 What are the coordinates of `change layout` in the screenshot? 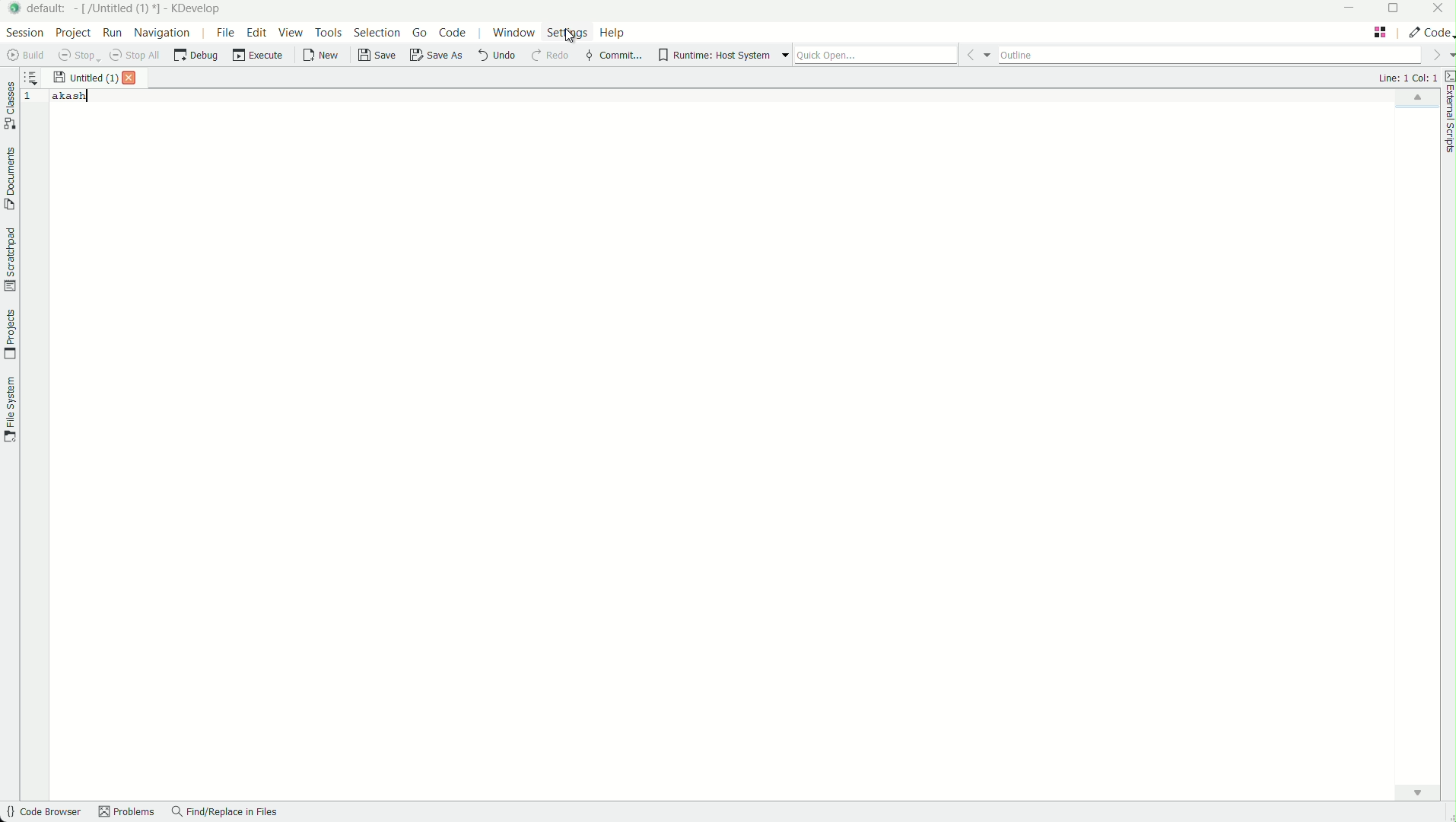 It's located at (1380, 32).